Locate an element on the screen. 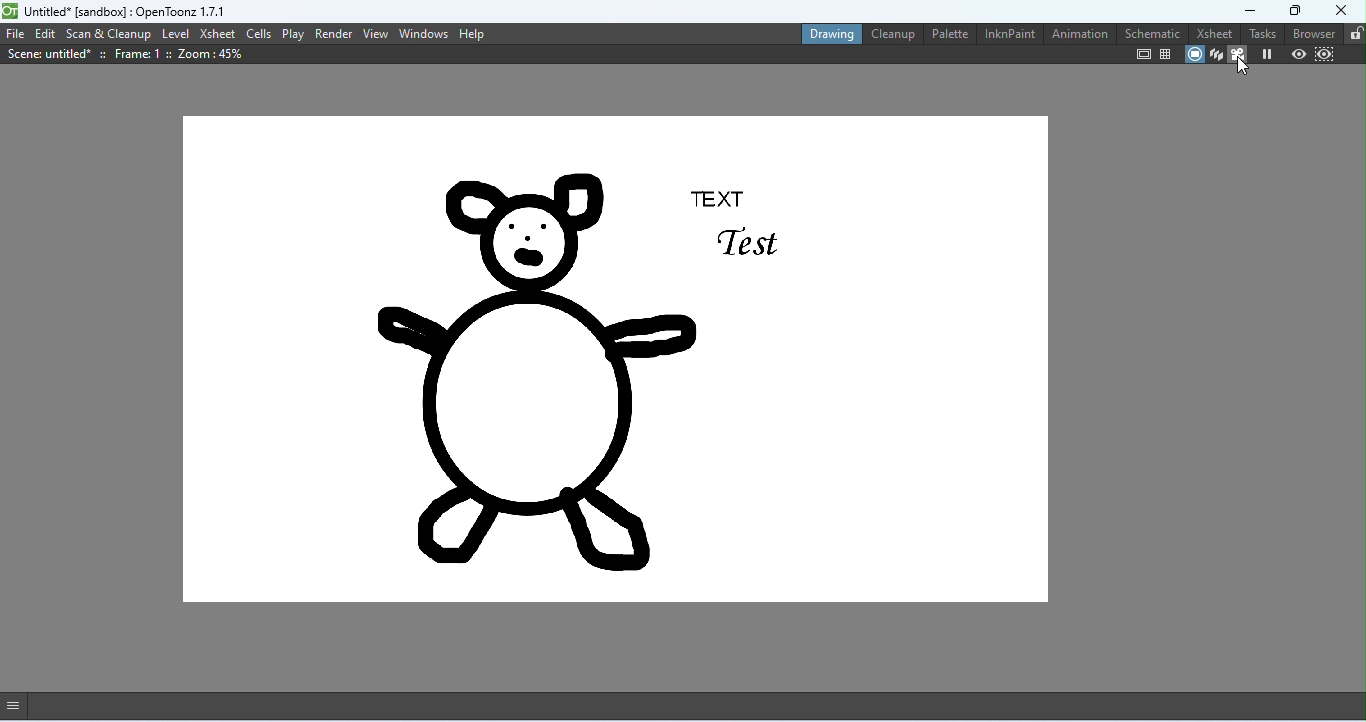 The image size is (1366, 722). edit is located at coordinates (46, 35).